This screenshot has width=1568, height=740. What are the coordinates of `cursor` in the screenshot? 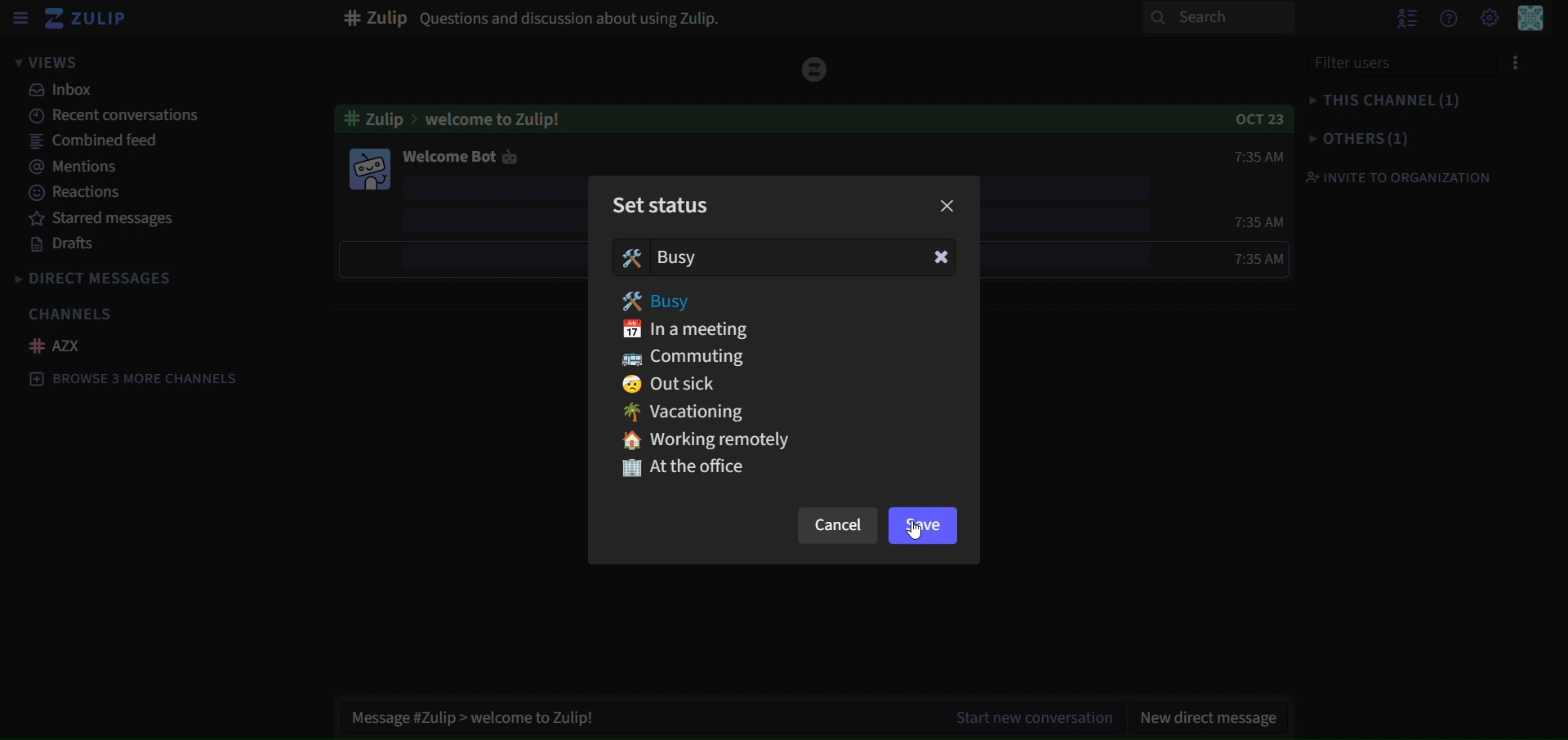 It's located at (910, 533).